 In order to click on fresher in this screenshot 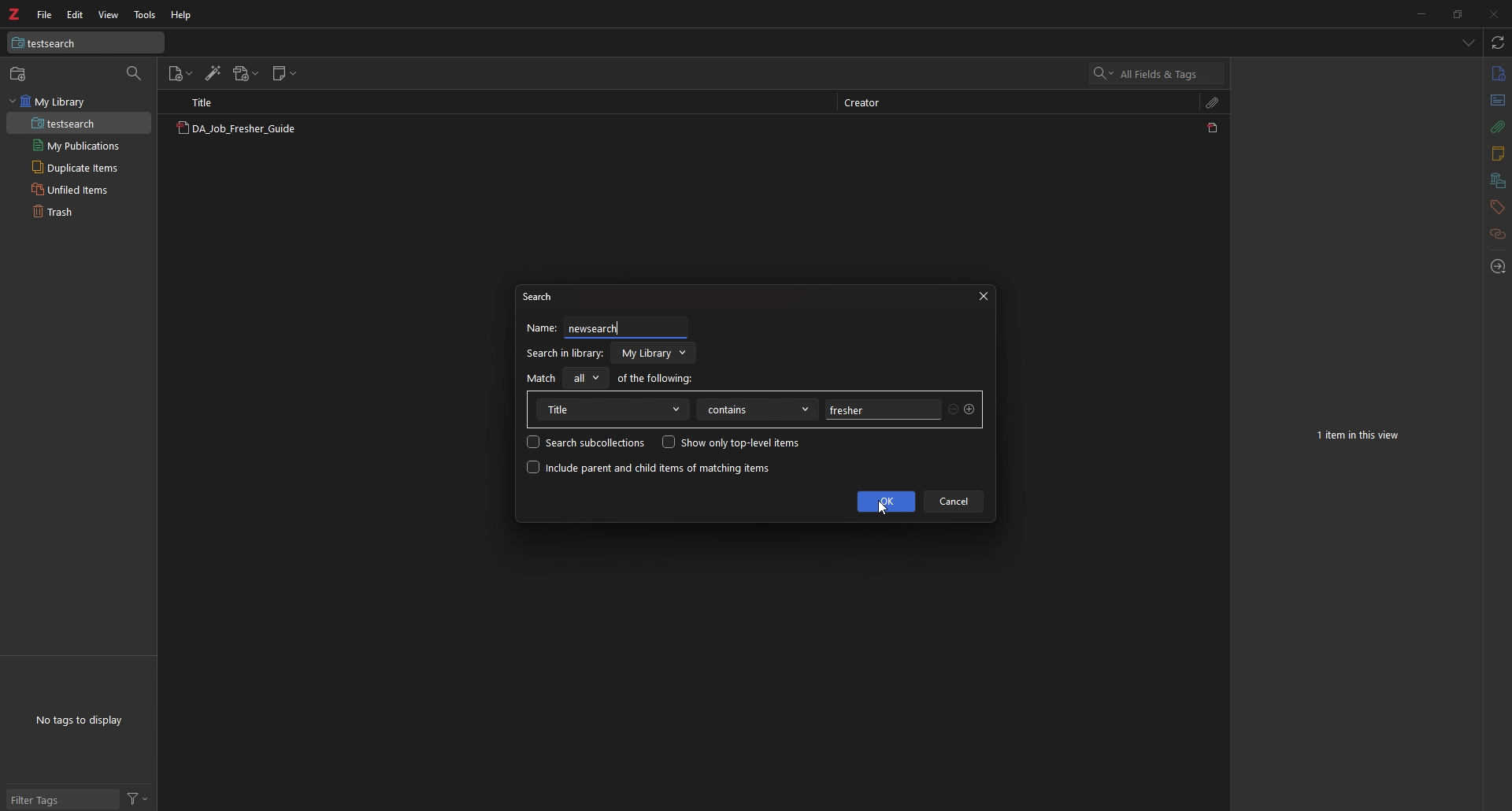, I will do `click(881, 409)`.